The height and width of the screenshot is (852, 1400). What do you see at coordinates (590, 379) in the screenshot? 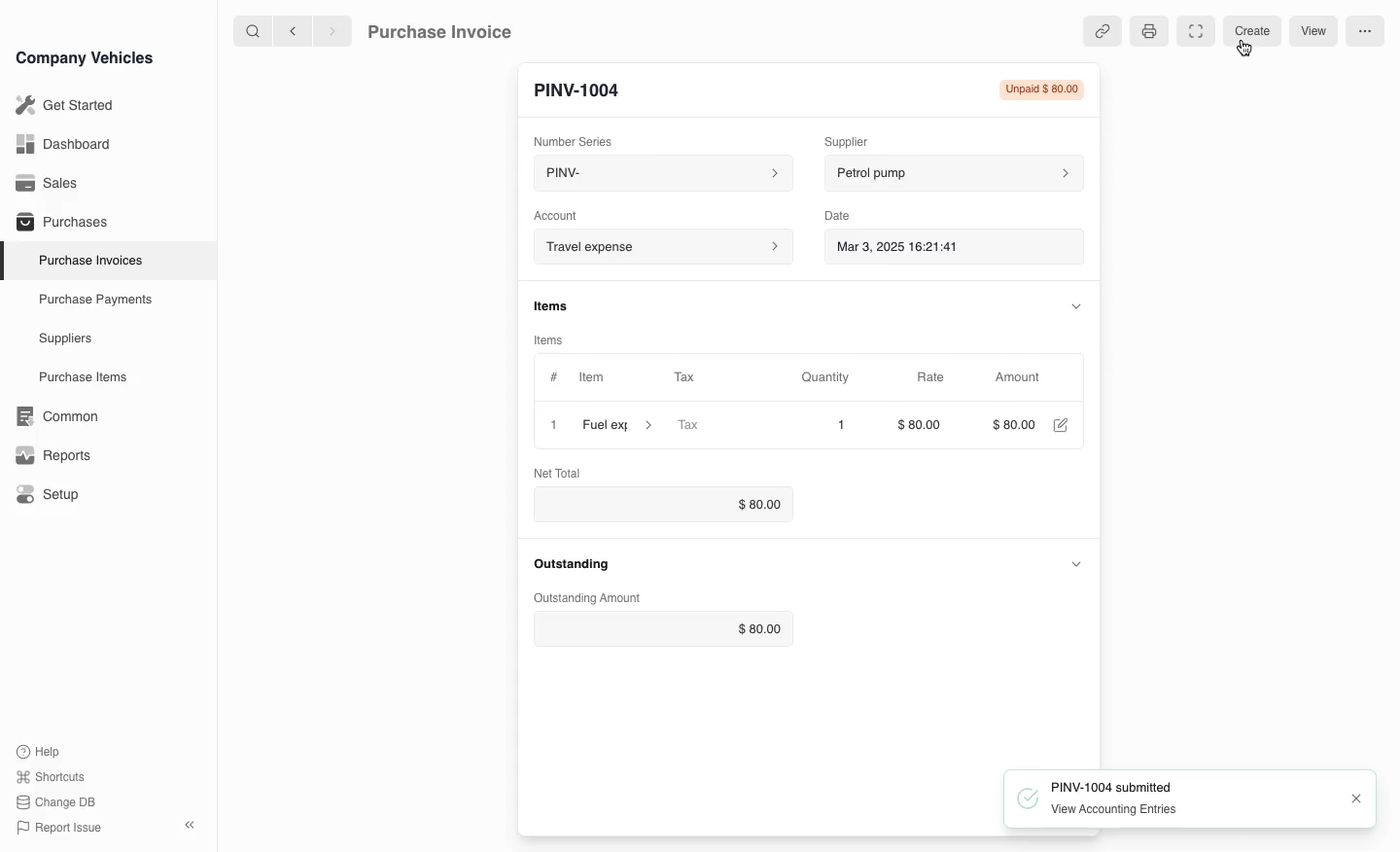
I see `Item` at bounding box center [590, 379].